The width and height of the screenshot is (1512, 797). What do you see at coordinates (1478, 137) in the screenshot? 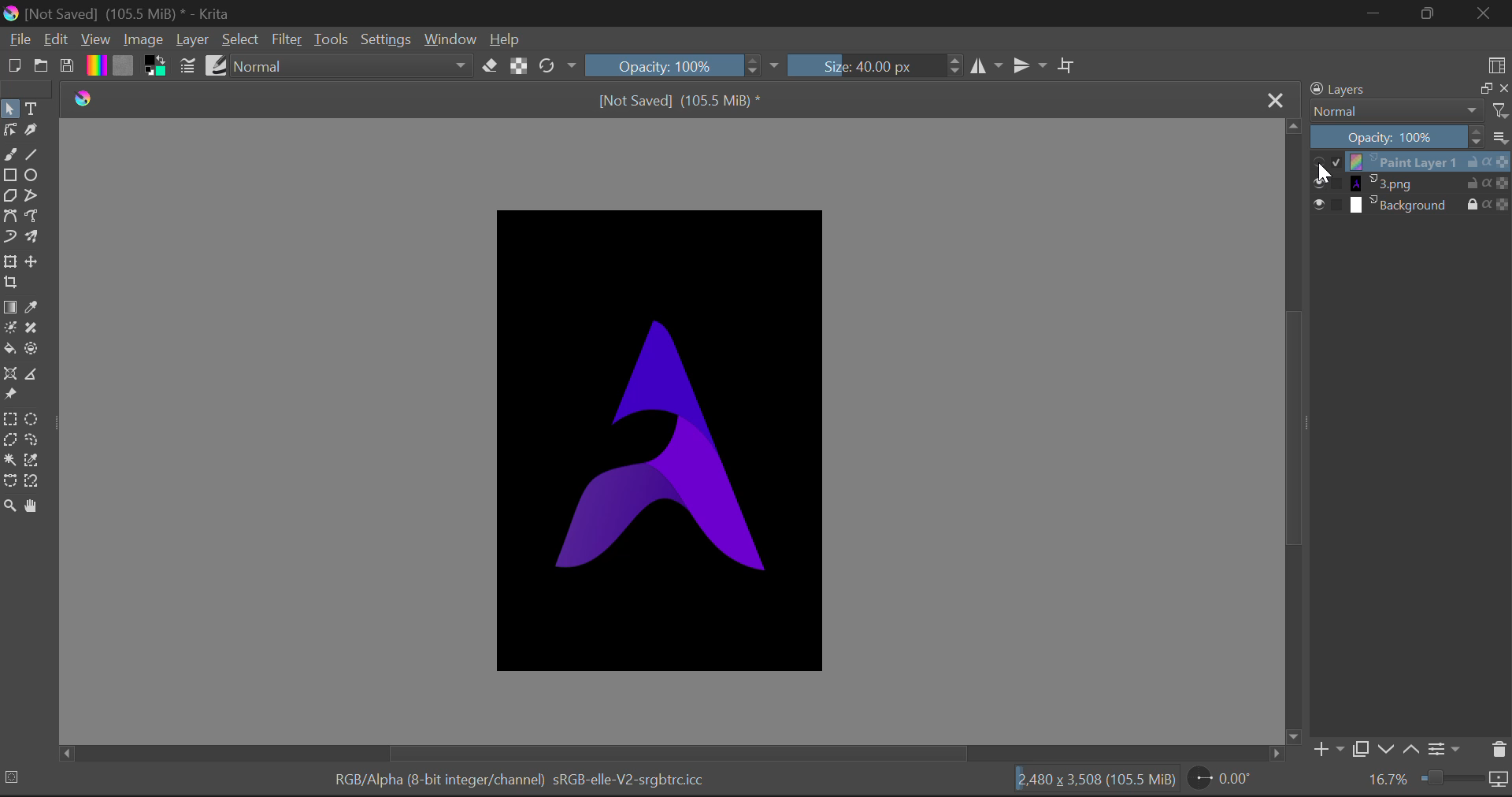
I see `Increase or decrease opacity` at bounding box center [1478, 137].